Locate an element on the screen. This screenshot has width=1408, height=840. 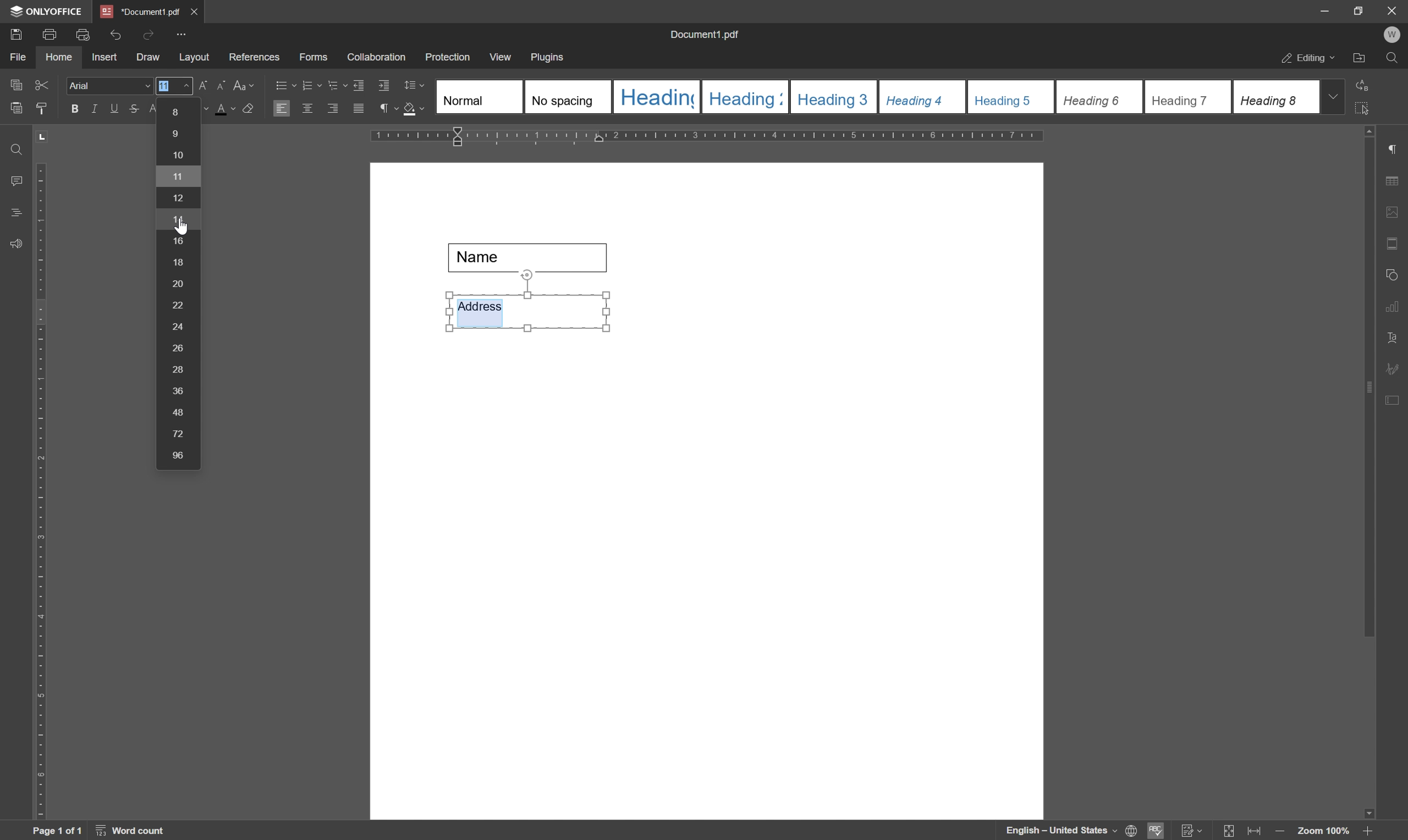
W is located at coordinates (1394, 35).